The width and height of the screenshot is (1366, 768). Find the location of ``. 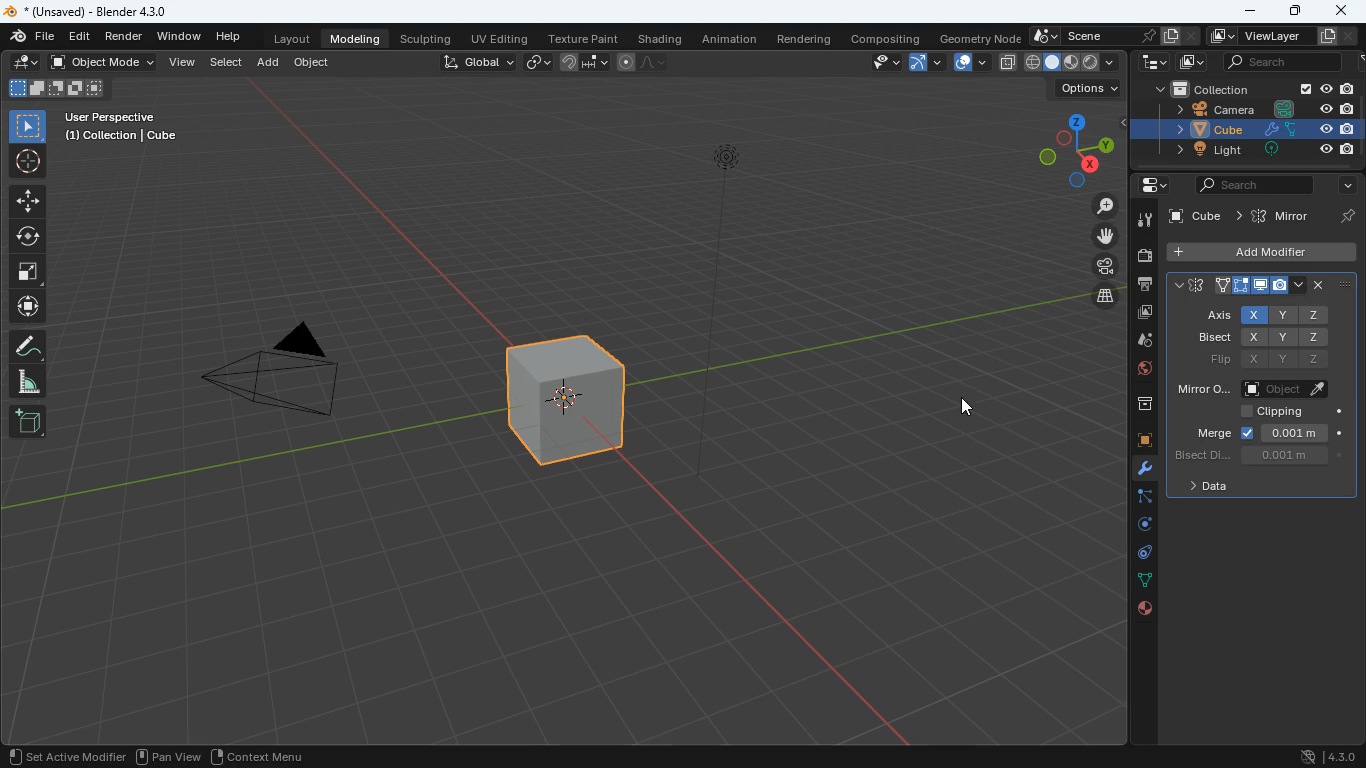

 is located at coordinates (1324, 129).